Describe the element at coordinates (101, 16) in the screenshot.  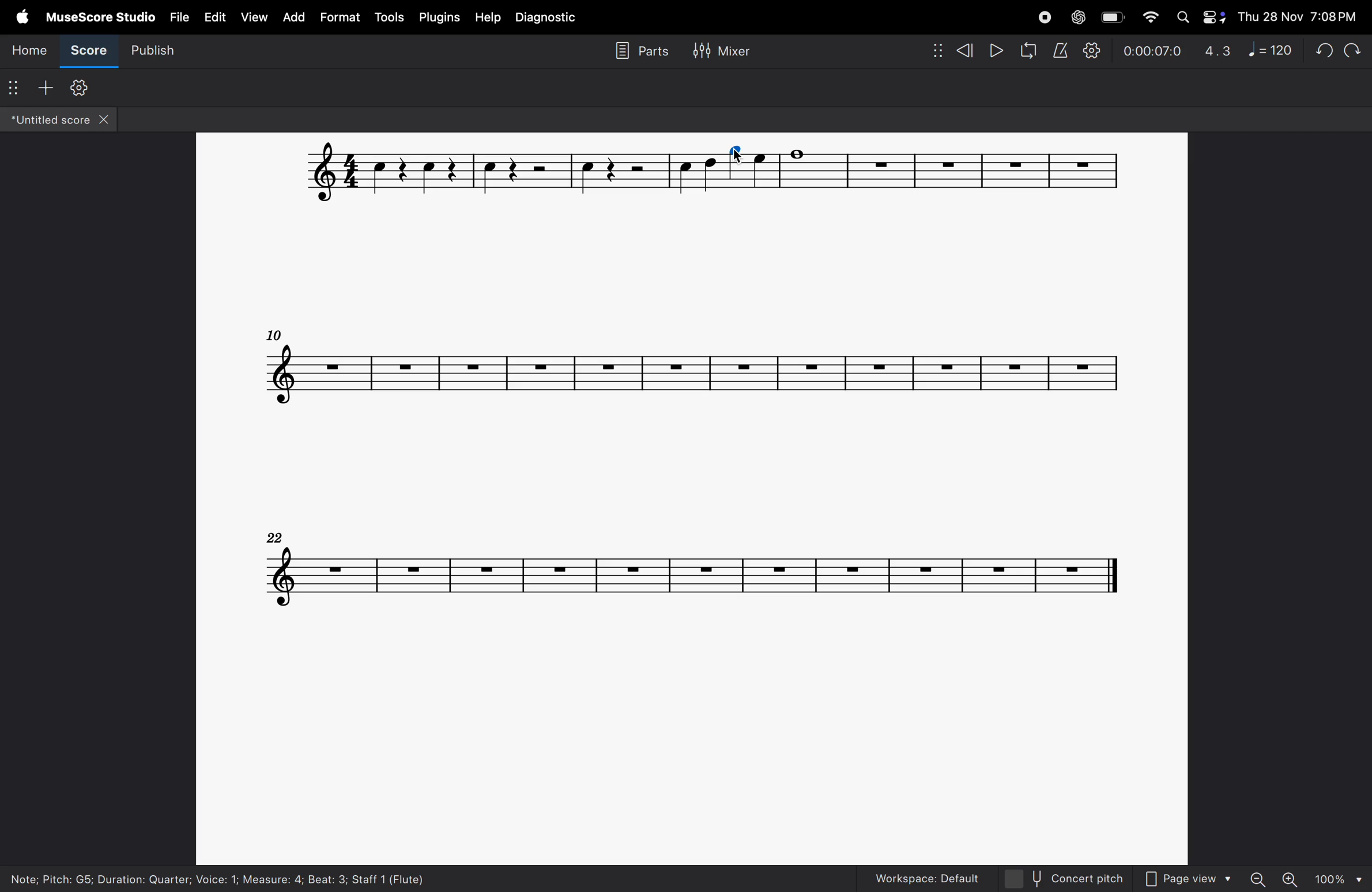
I see `musescore studio` at that location.